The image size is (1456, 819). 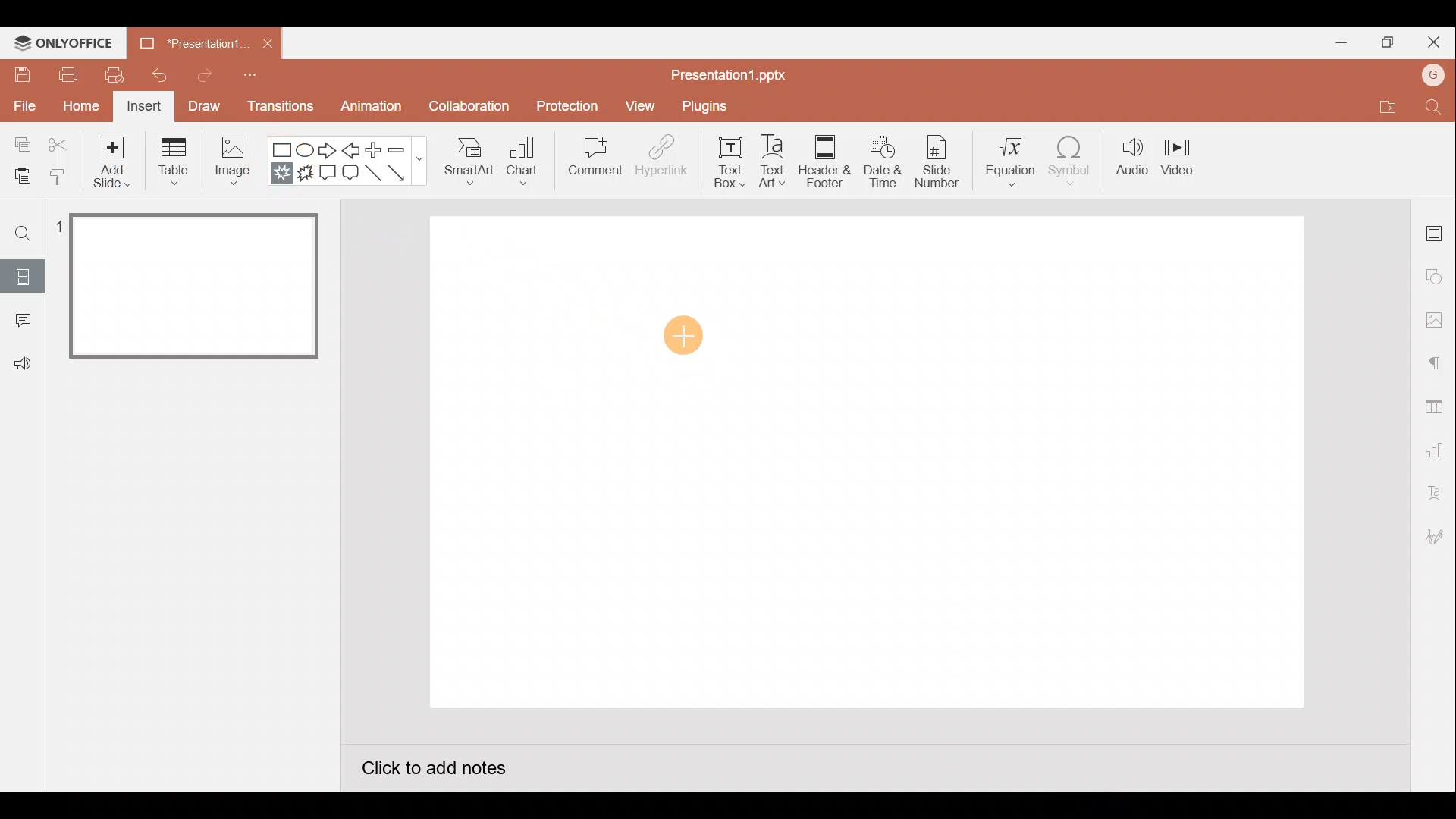 I want to click on Table settings, so click(x=1437, y=403).